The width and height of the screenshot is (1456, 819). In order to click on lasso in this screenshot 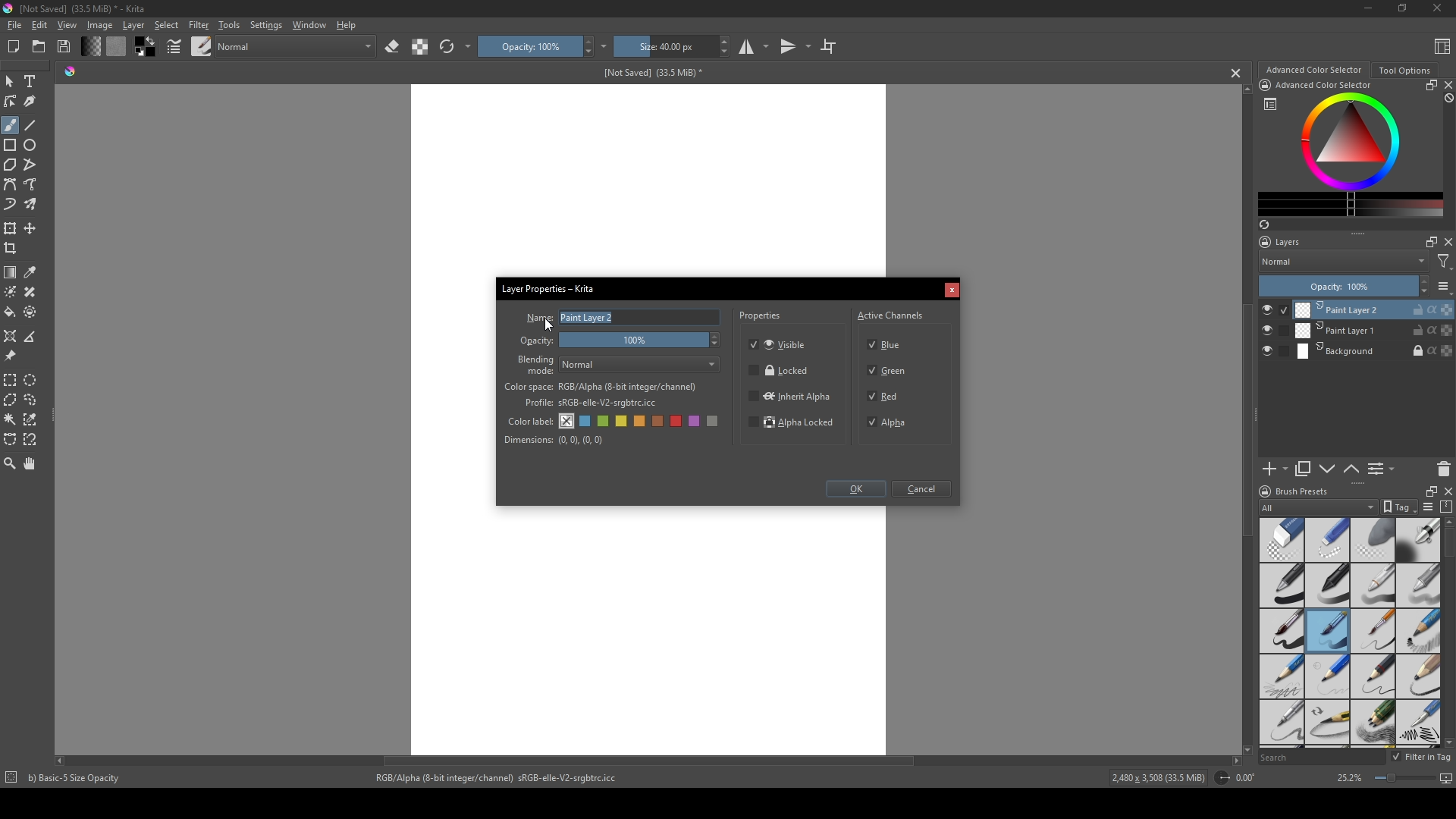, I will do `click(32, 400)`.